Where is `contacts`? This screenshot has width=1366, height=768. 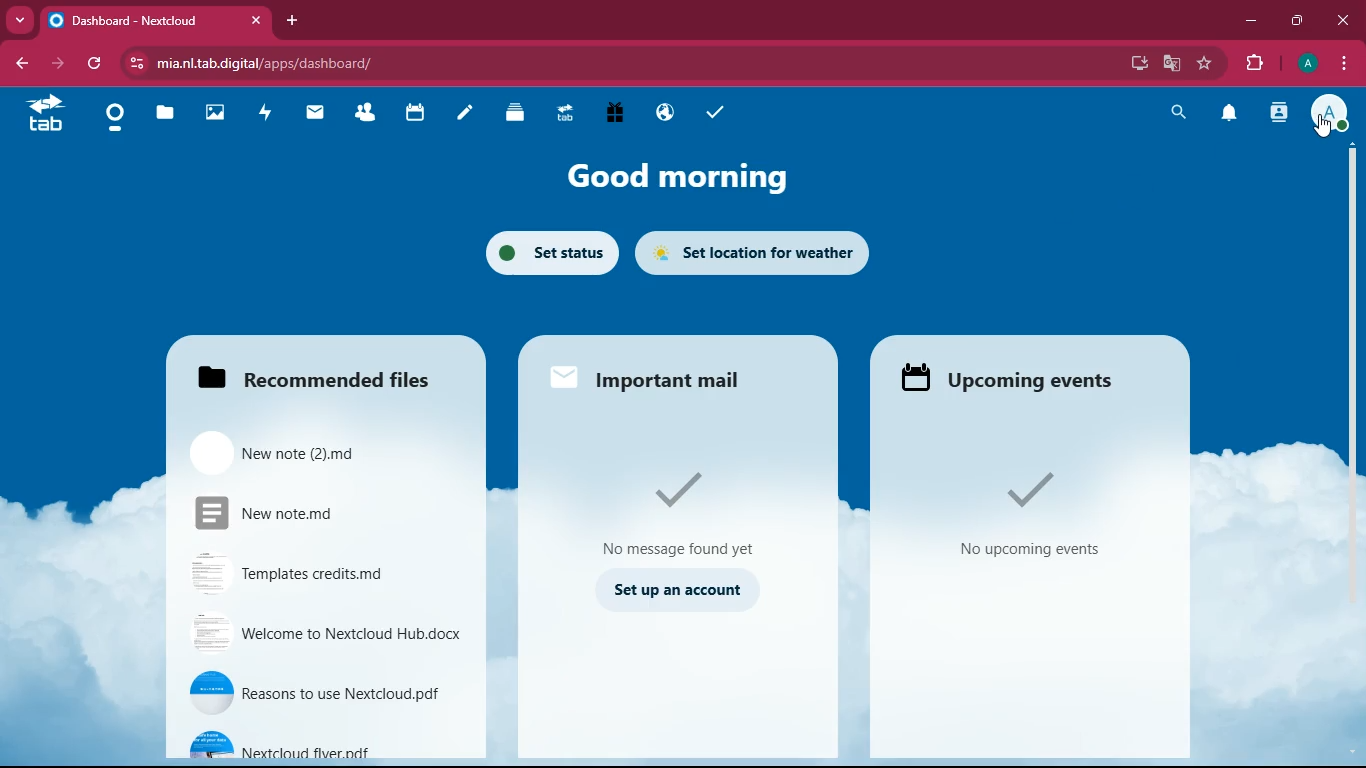 contacts is located at coordinates (1277, 115).